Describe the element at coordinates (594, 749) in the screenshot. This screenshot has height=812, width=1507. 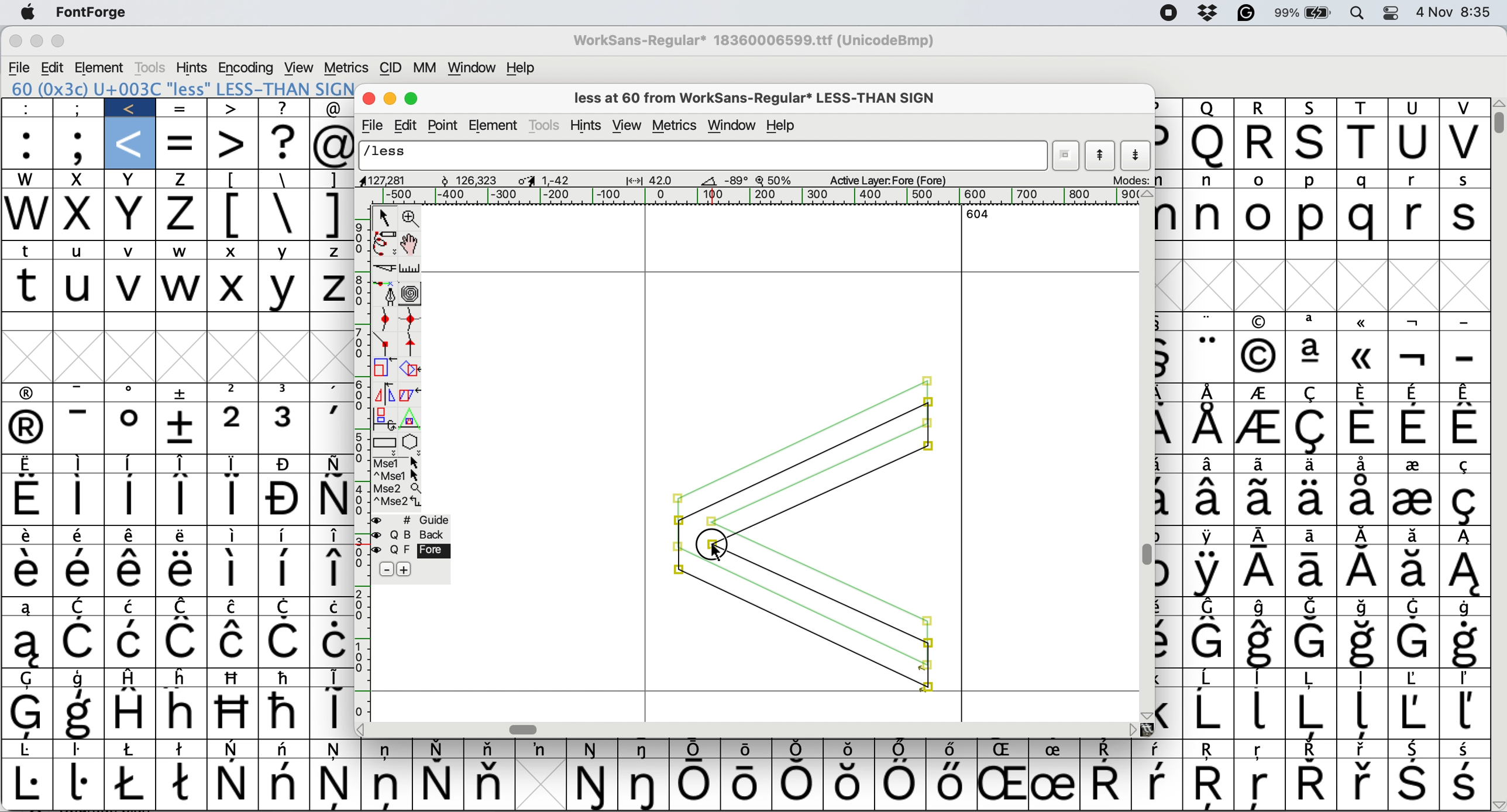
I see `Symbol` at that location.